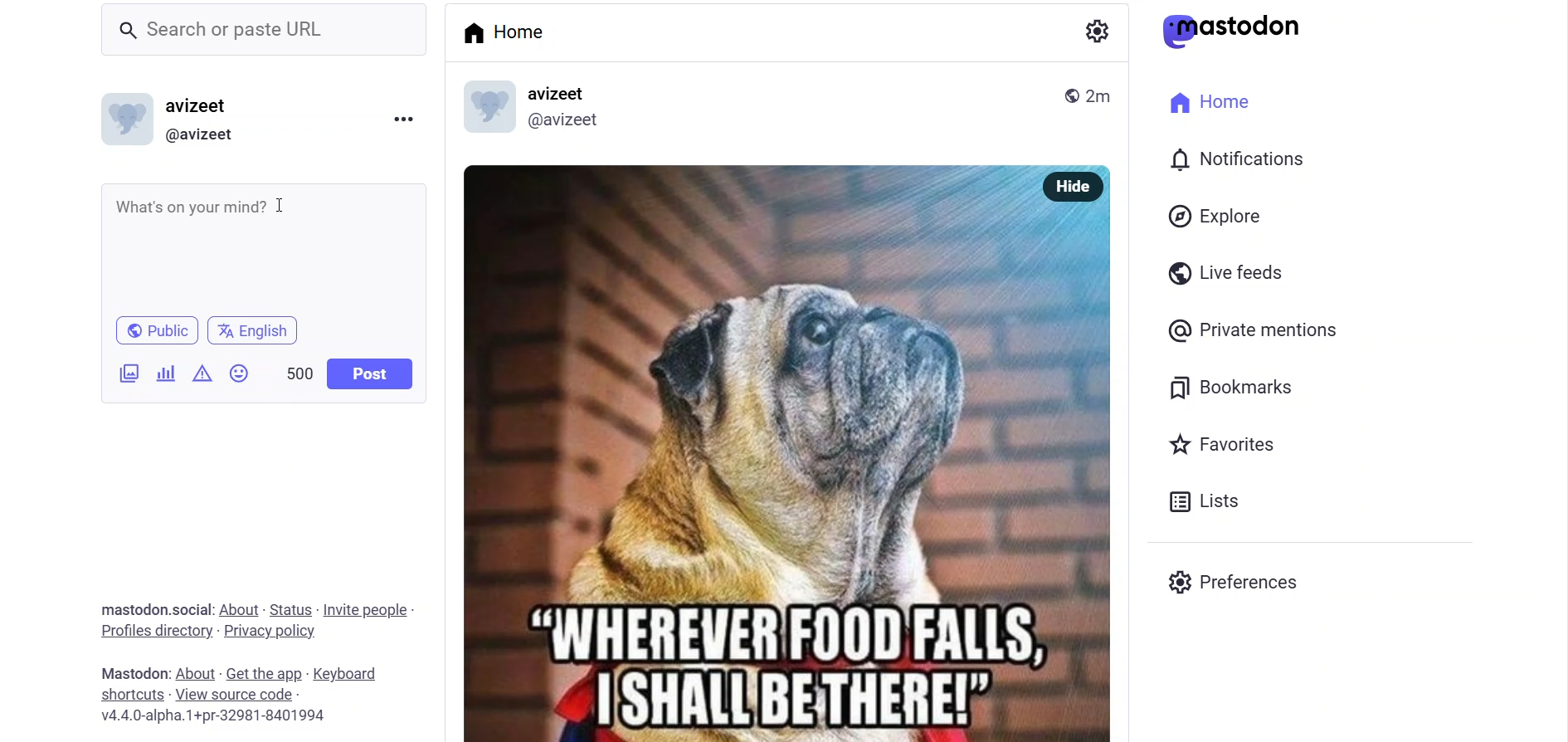 The width and height of the screenshot is (1568, 742). I want to click on social, so click(193, 609).